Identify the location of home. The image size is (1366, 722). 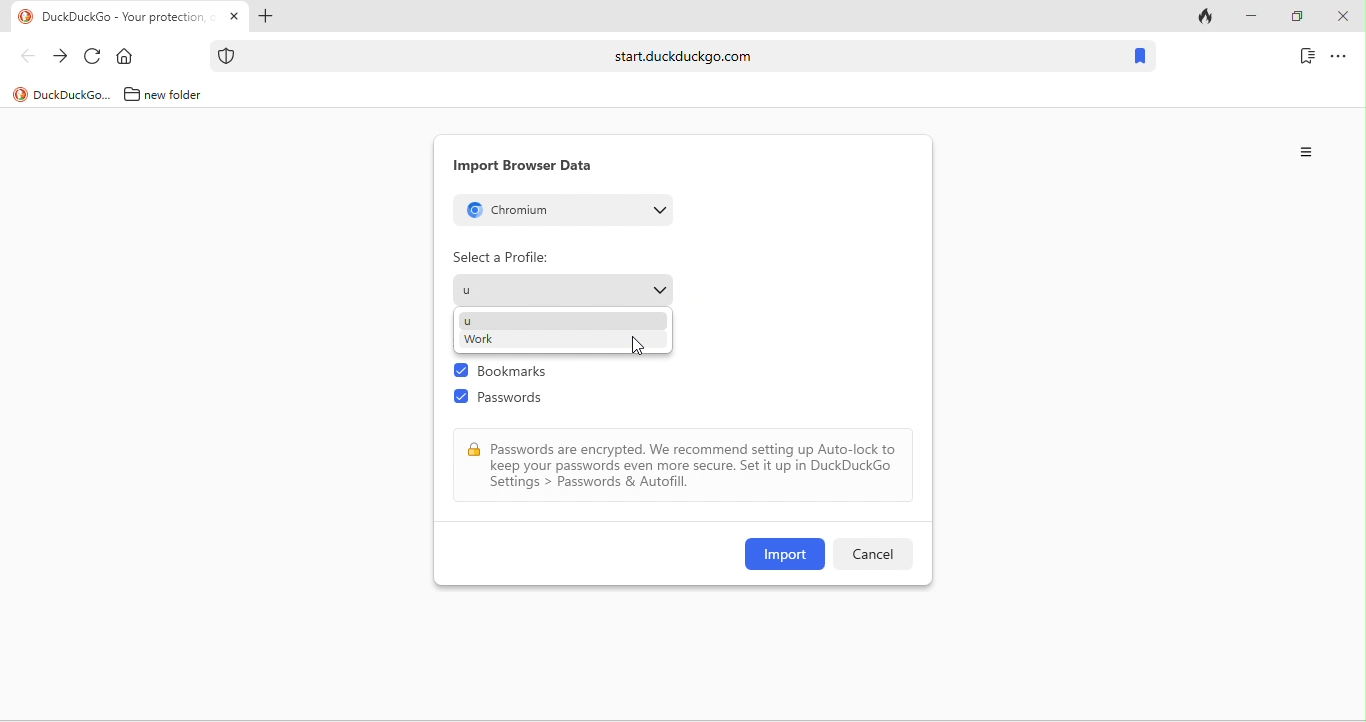
(129, 57).